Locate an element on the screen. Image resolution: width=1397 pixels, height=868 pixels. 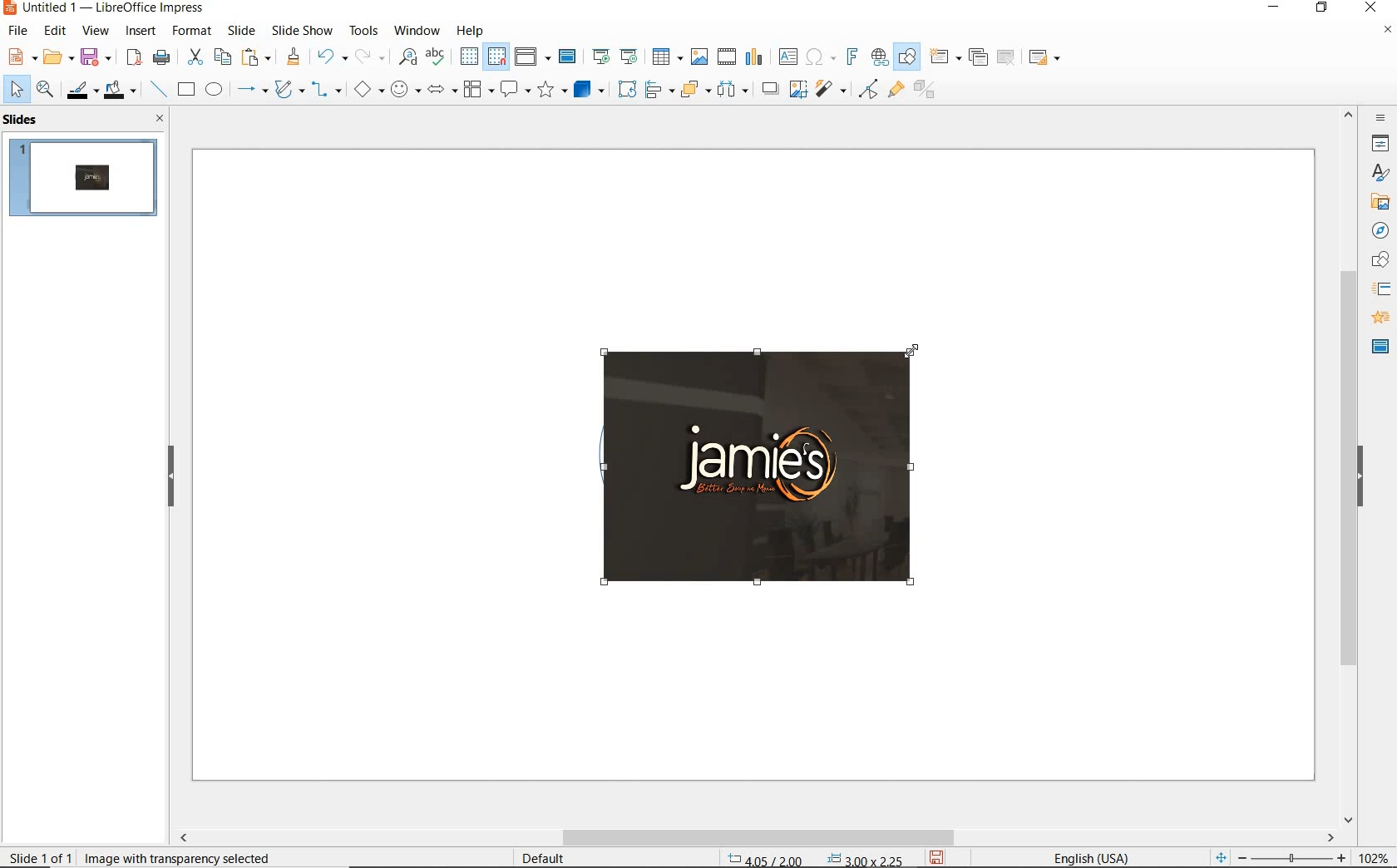
slide 1 of 1 is located at coordinates (42, 854).